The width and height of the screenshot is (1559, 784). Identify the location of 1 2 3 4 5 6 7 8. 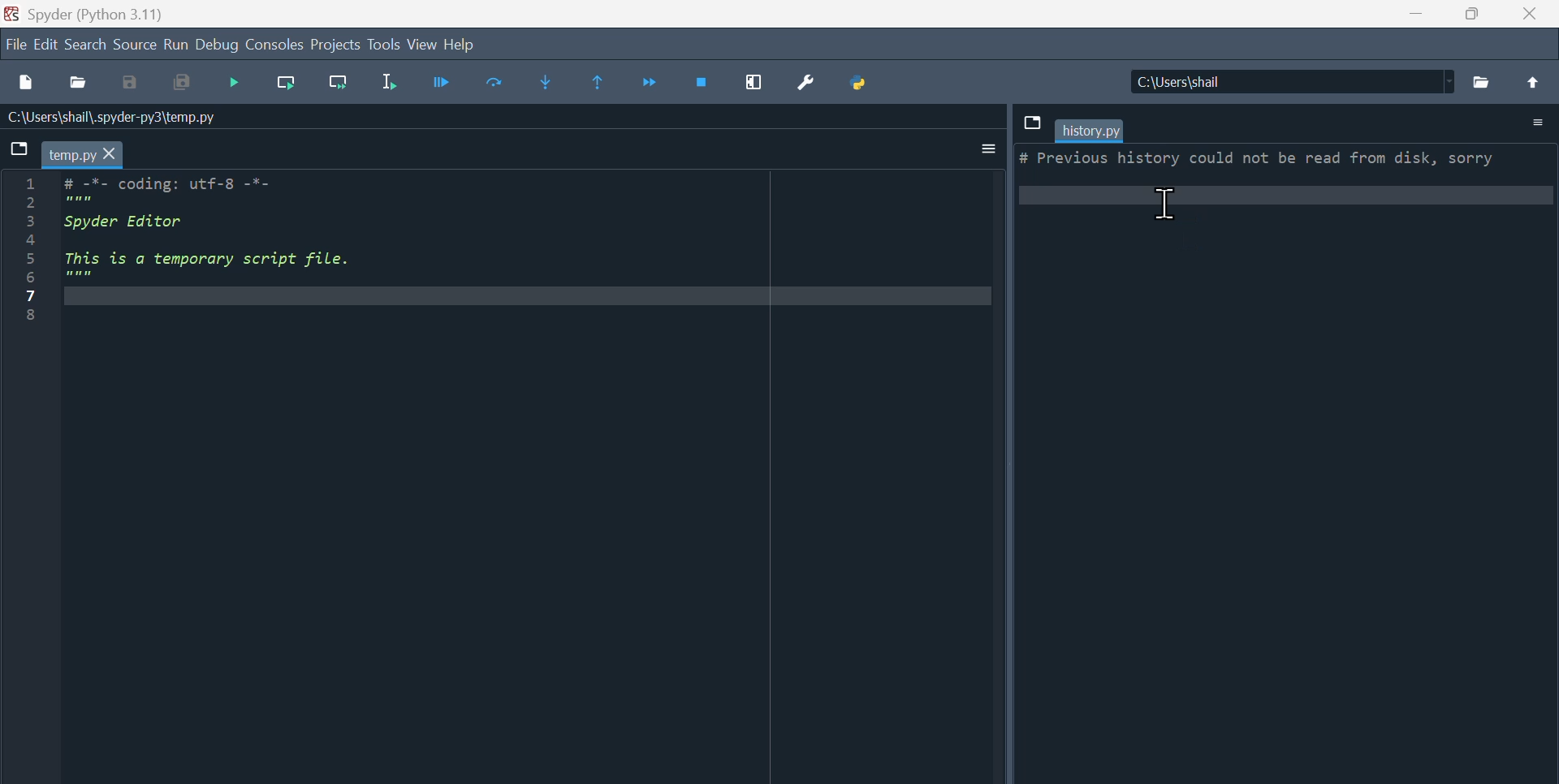
(31, 252).